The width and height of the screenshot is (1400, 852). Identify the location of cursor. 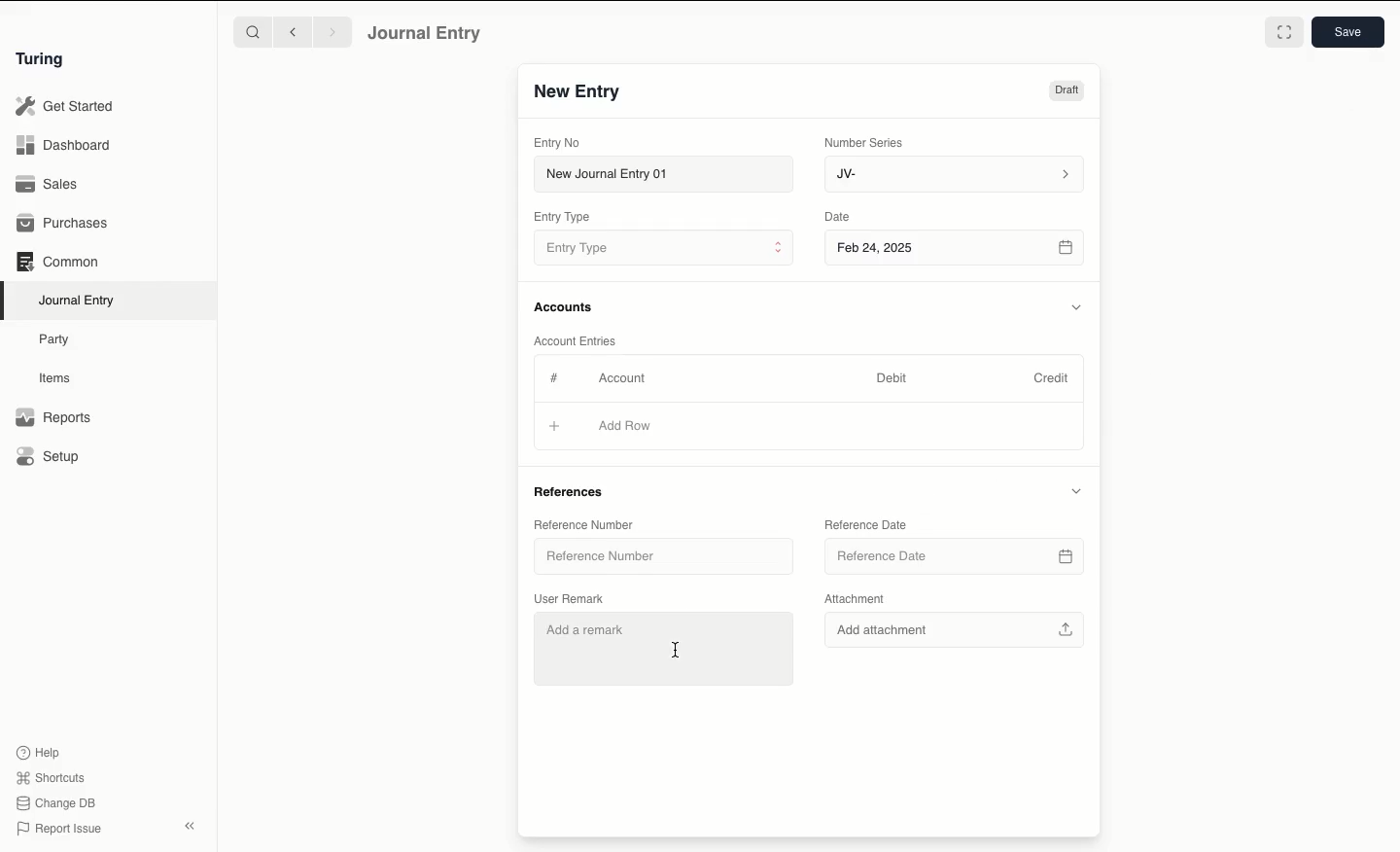
(674, 651).